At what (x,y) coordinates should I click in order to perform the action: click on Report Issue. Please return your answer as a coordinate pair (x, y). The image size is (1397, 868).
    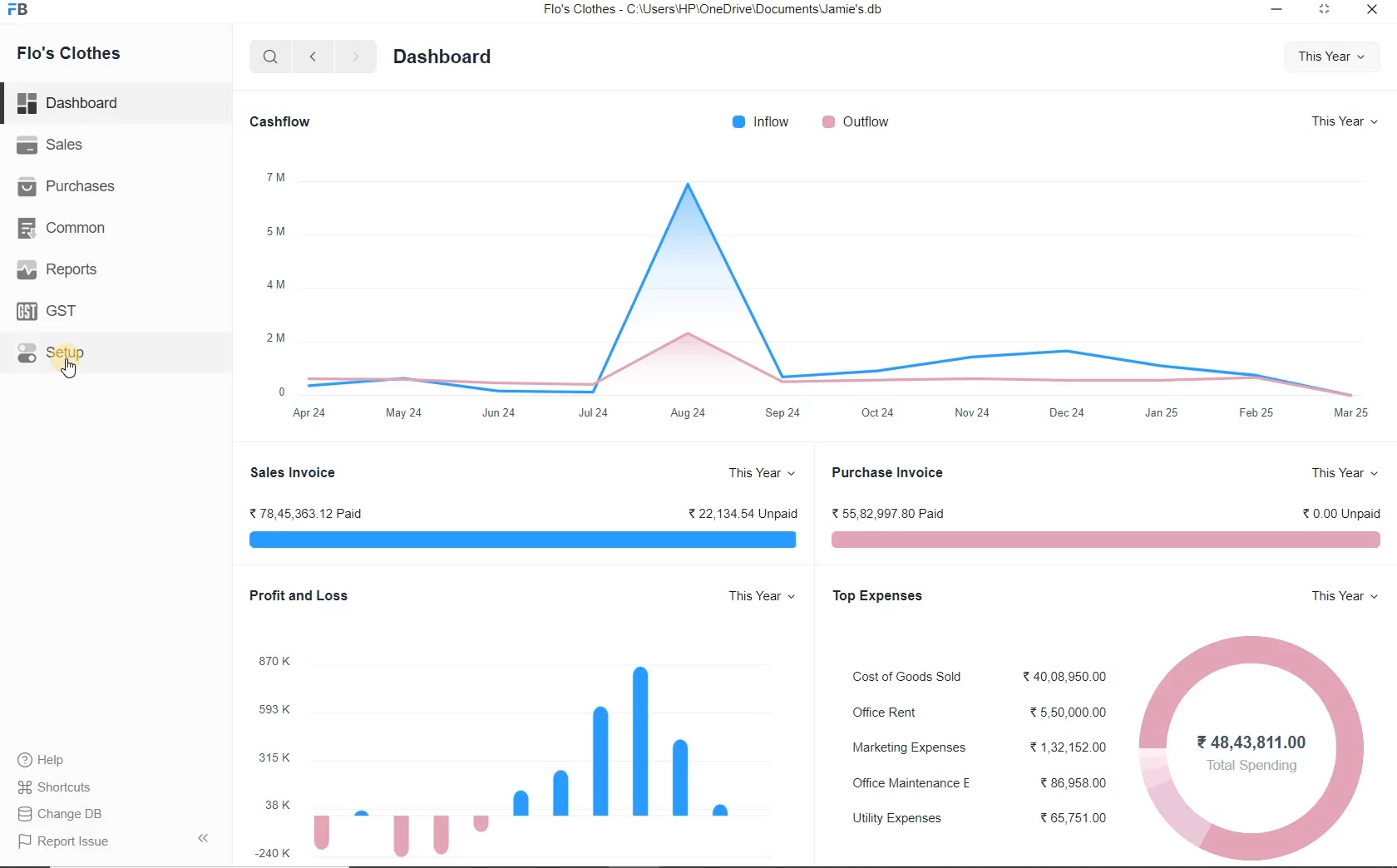
    Looking at the image, I should click on (116, 841).